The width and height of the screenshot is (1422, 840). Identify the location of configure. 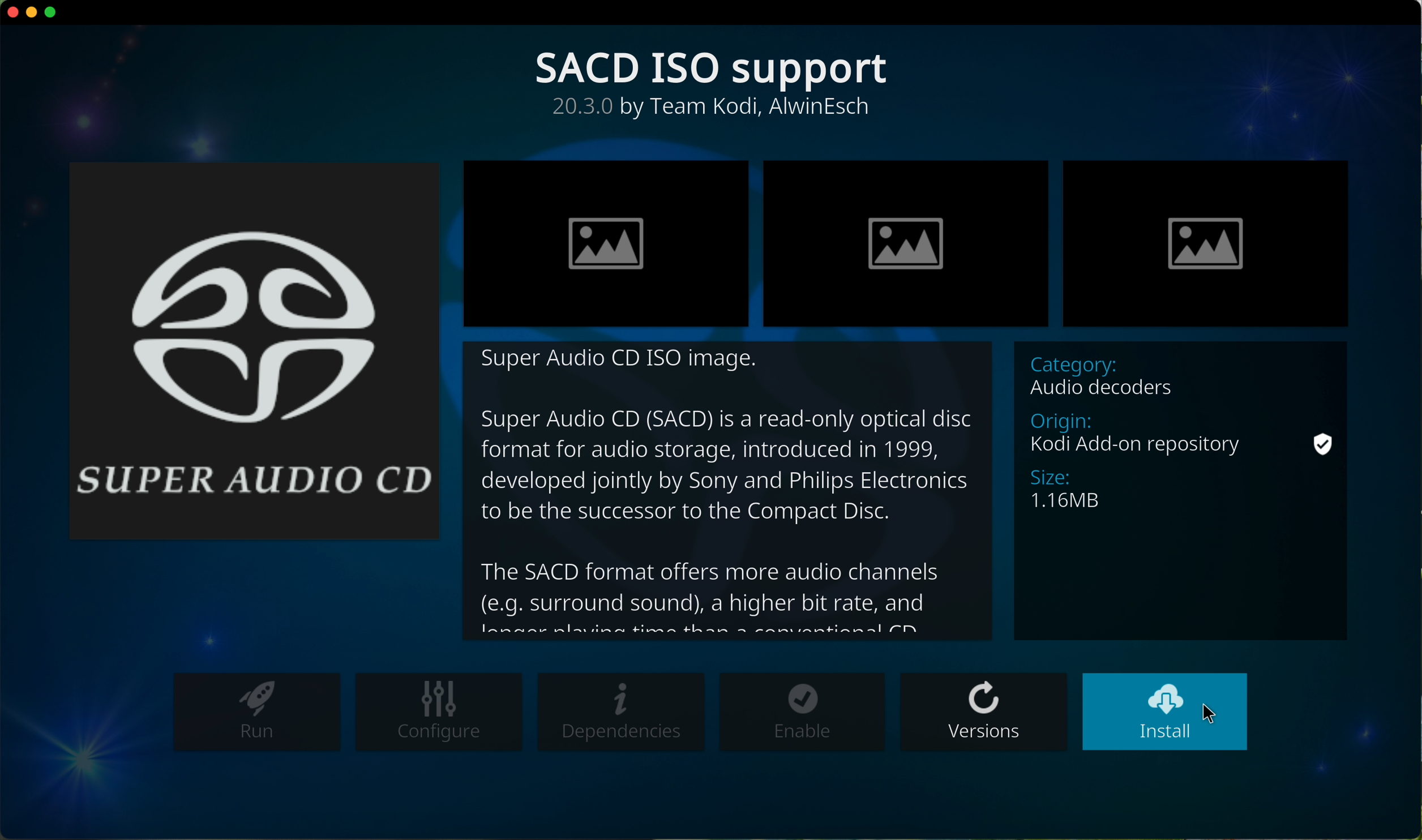
(438, 710).